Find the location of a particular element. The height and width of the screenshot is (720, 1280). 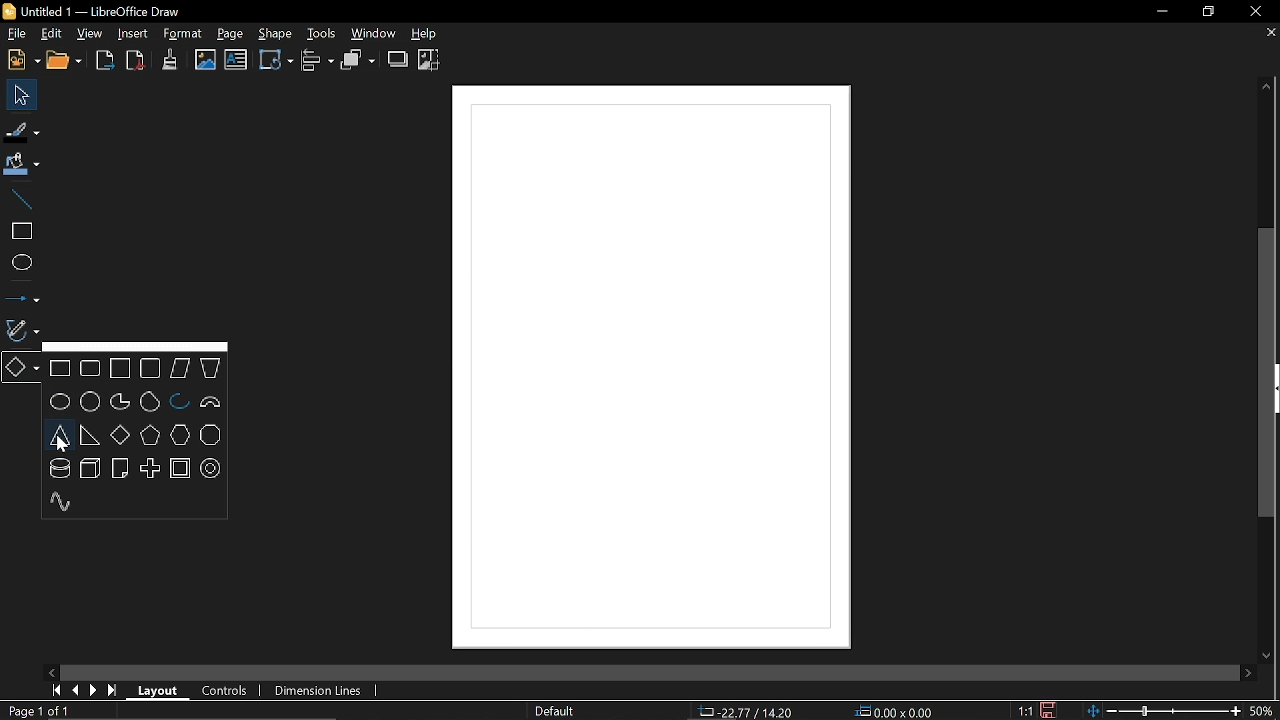

Fill color is located at coordinates (22, 165).